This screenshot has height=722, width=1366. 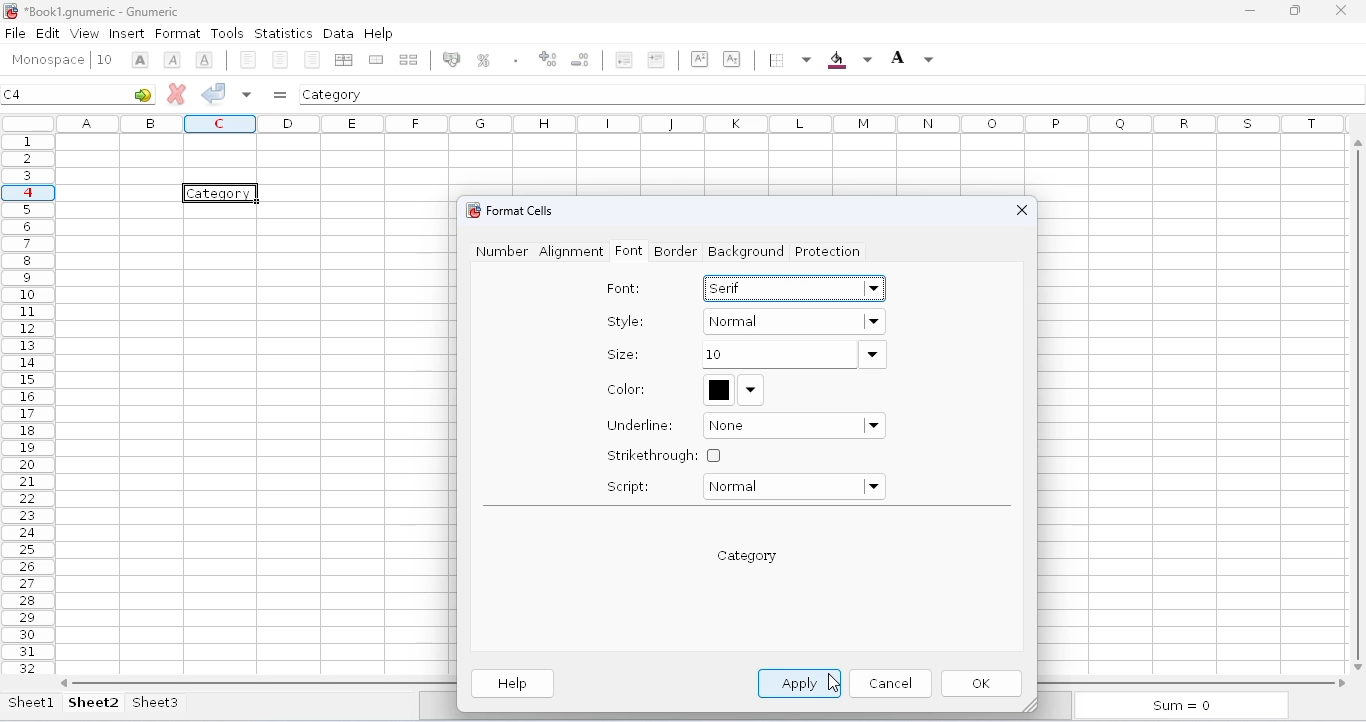 What do you see at coordinates (104, 59) in the screenshot?
I see `font size` at bounding box center [104, 59].